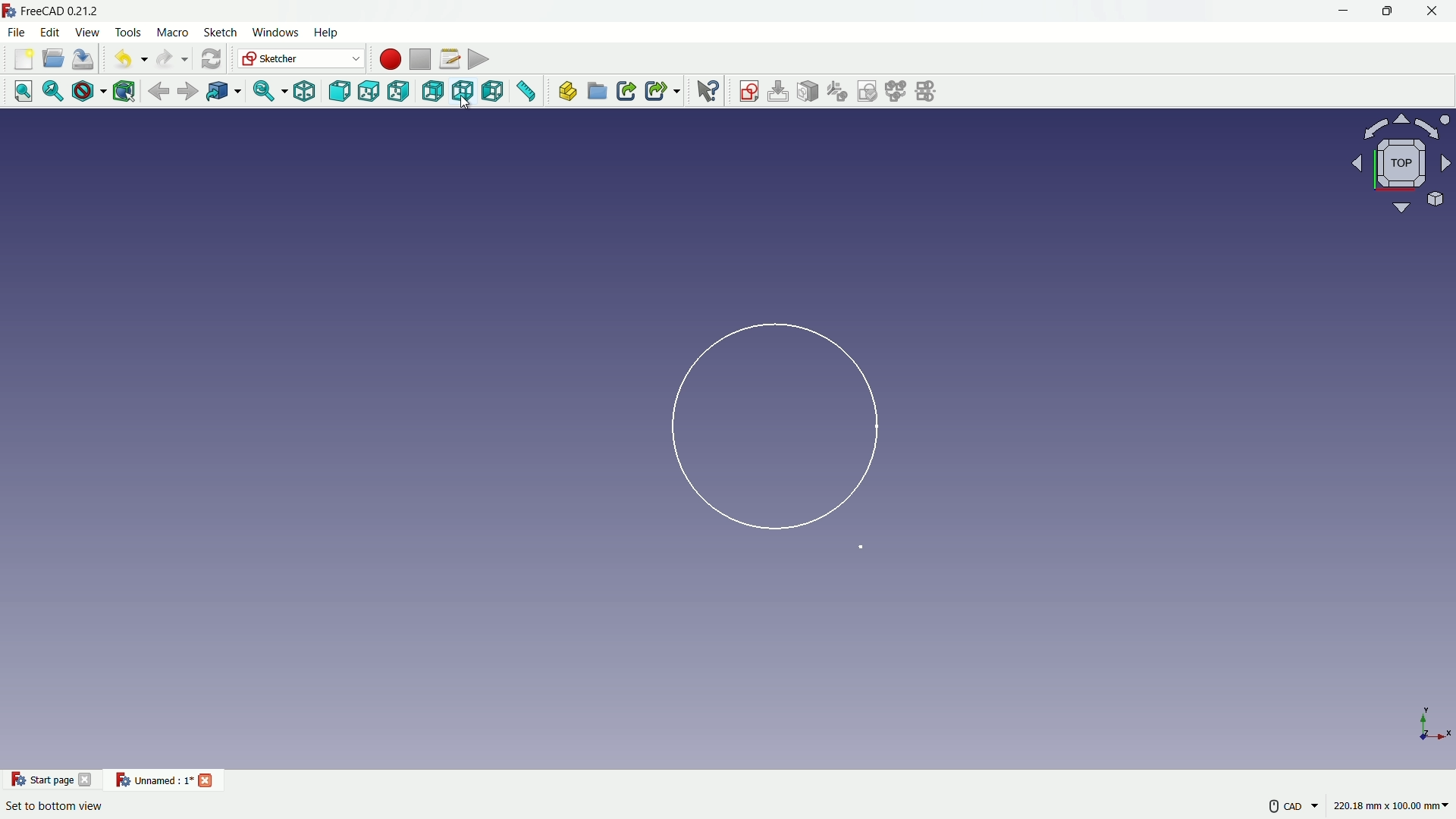 Image resolution: width=1456 pixels, height=819 pixels. Describe the element at coordinates (171, 58) in the screenshot. I see `redo` at that location.